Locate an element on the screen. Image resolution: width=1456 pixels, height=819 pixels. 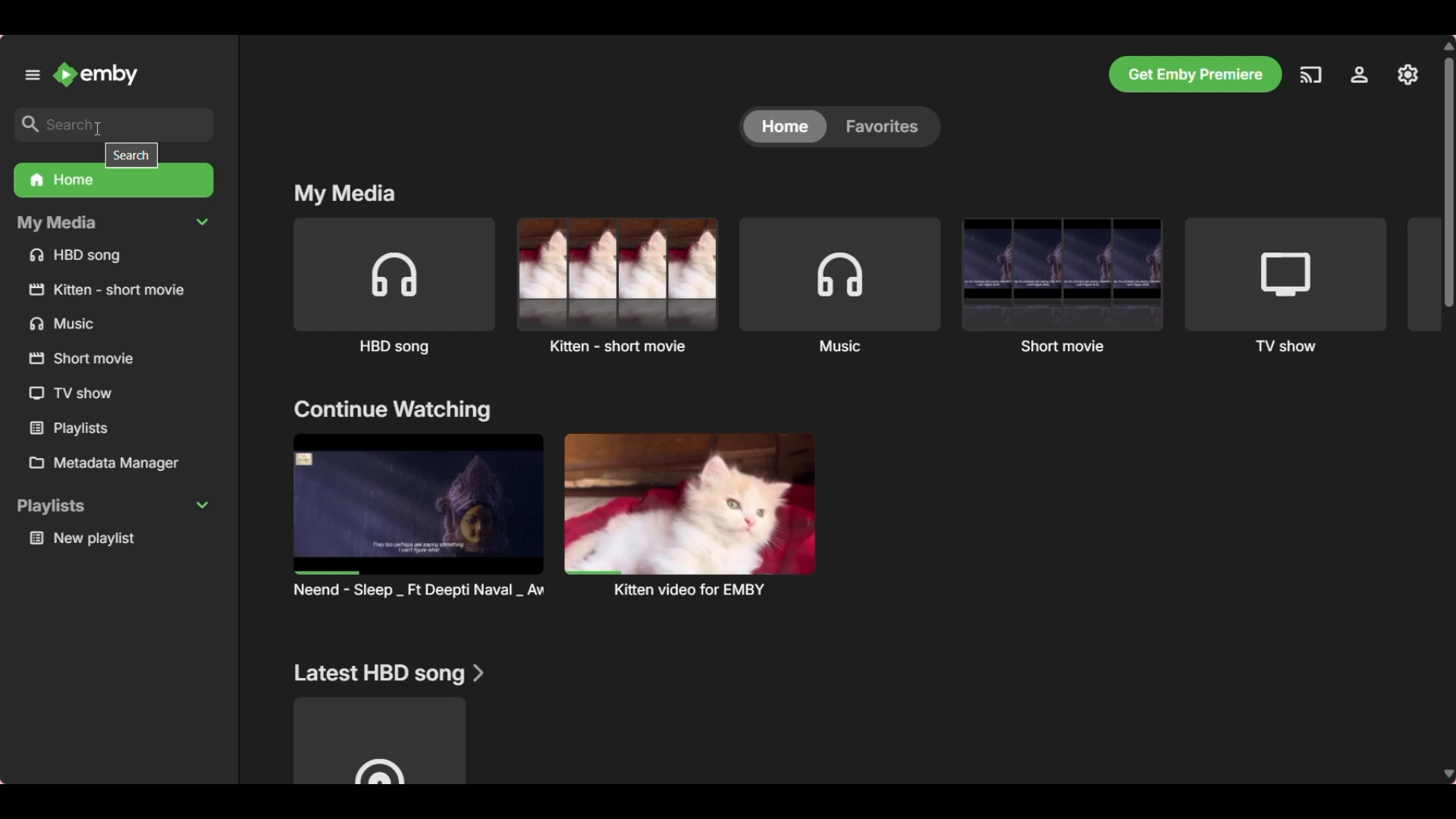
Manage Emby server is located at coordinates (1408, 74).